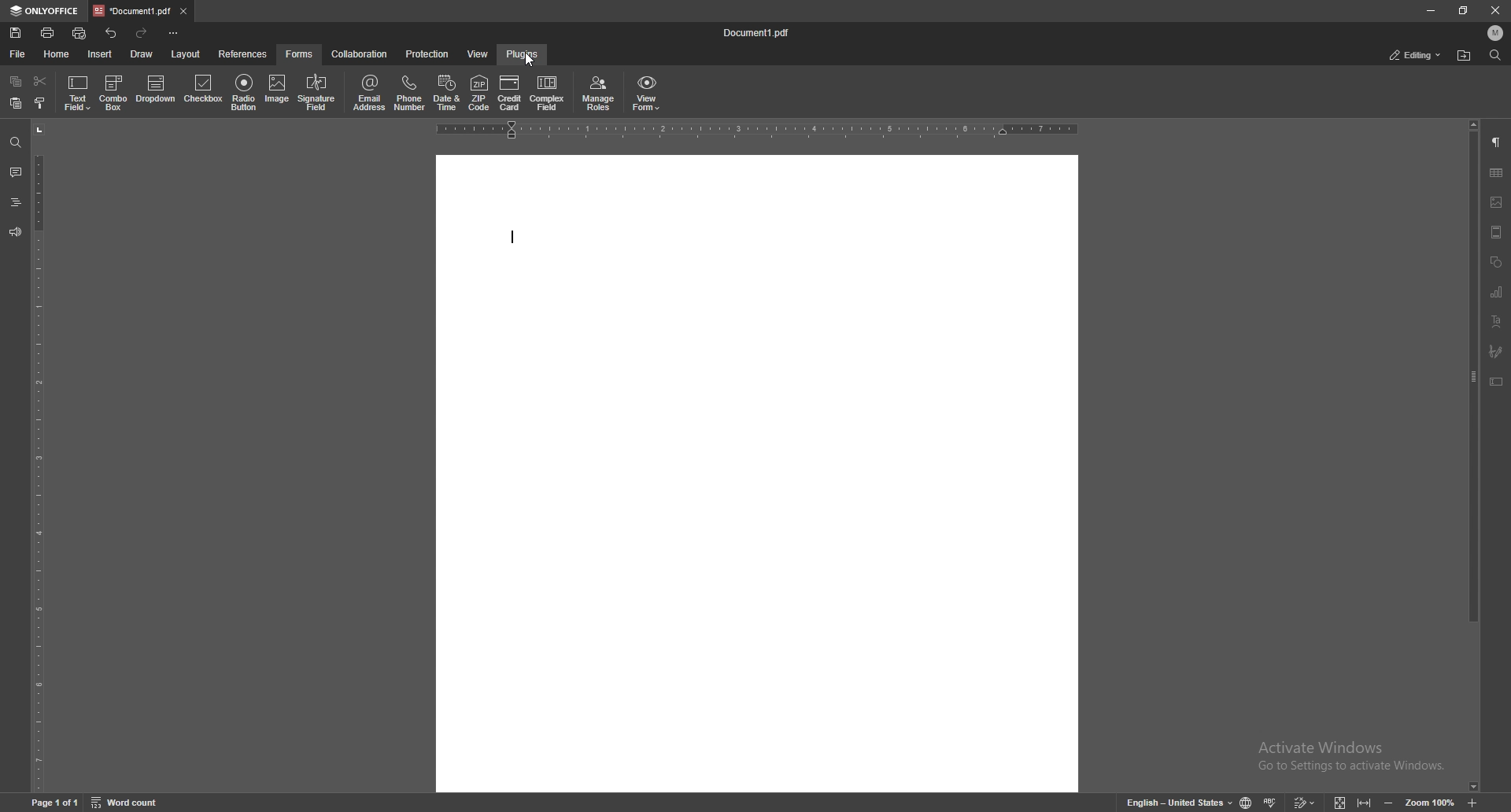  Describe the element at coordinates (1463, 56) in the screenshot. I see `locate file` at that location.